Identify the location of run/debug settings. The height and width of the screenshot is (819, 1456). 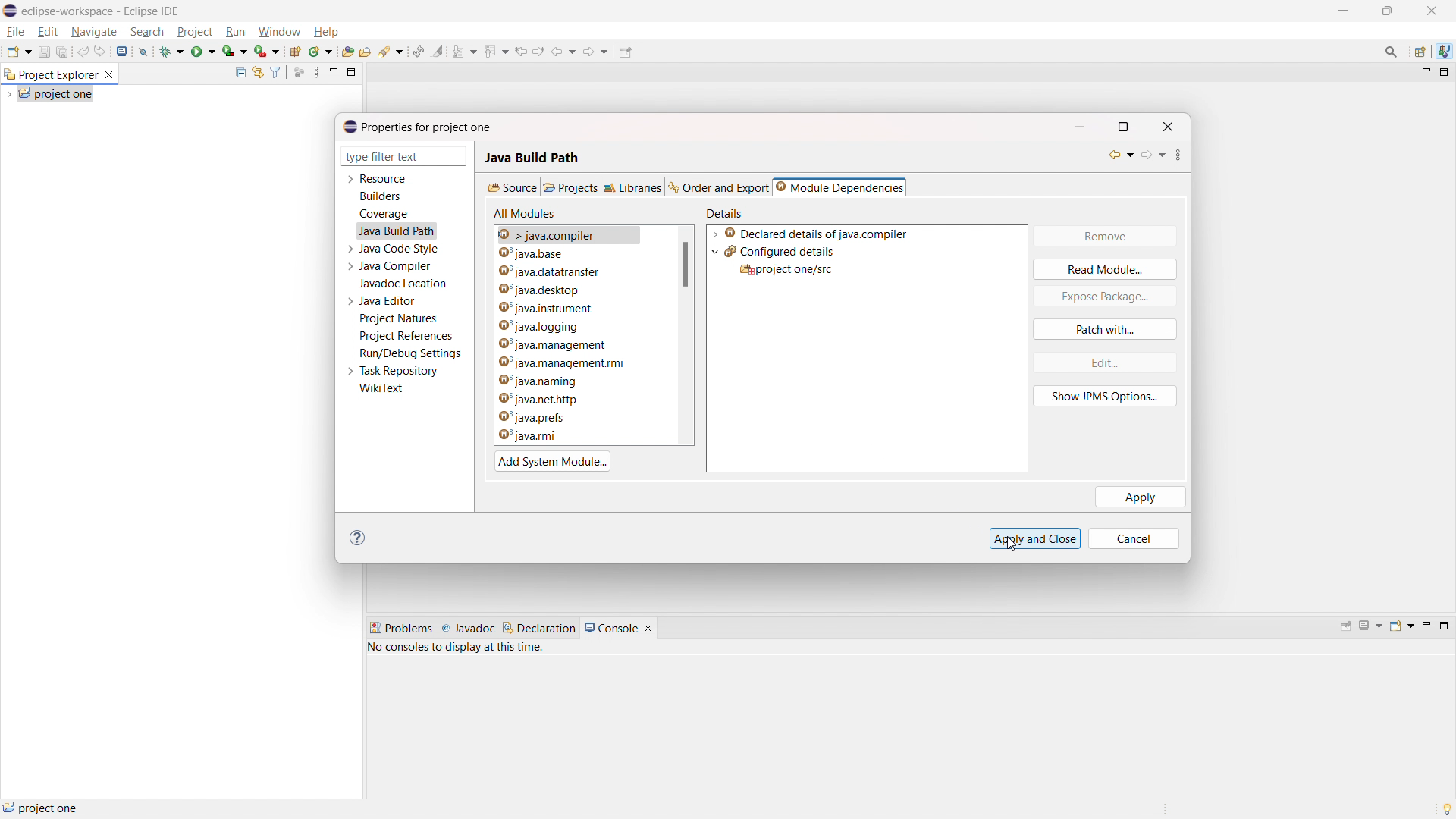
(411, 353).